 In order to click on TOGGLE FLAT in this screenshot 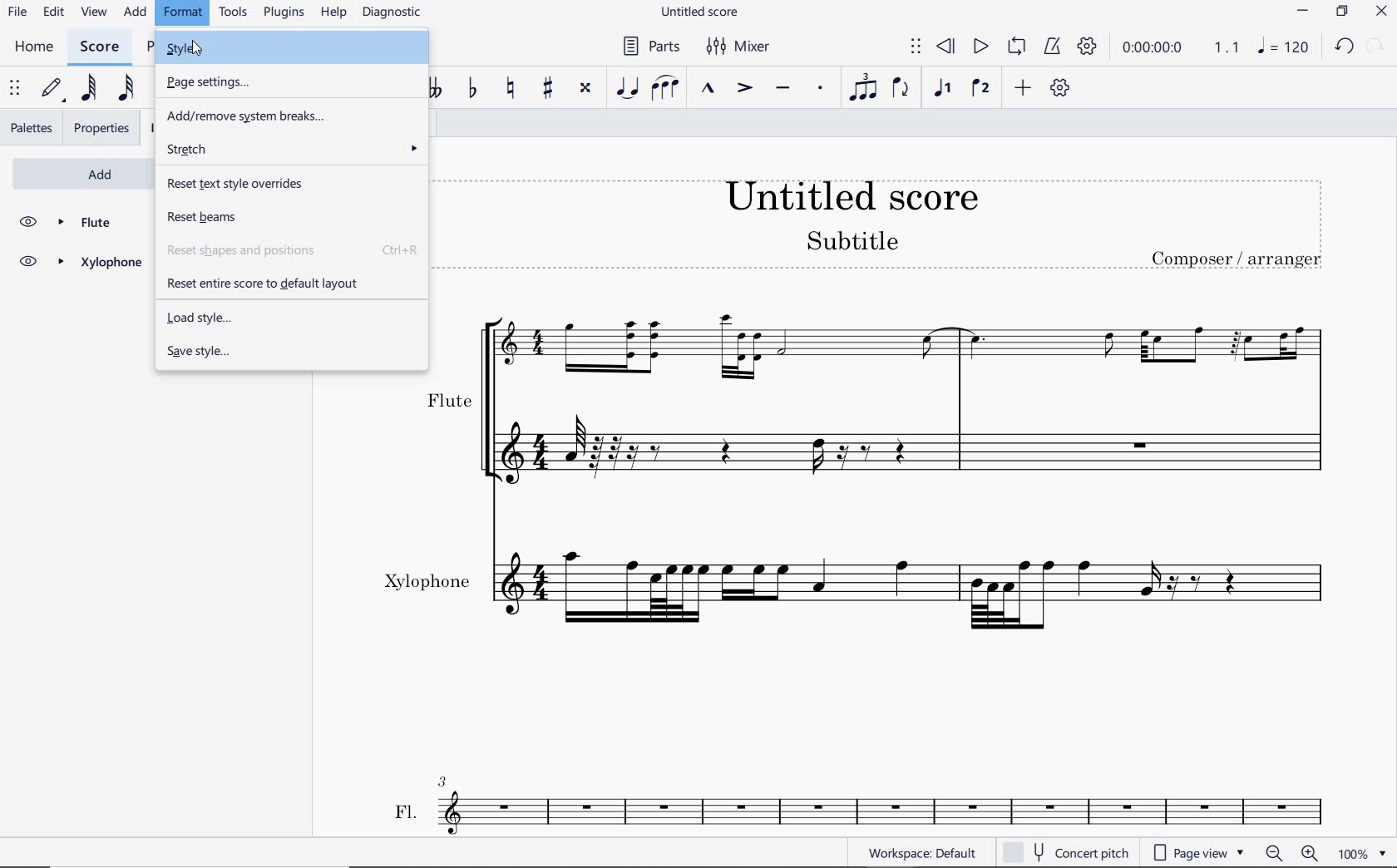, I will do `click(471, 88)`.